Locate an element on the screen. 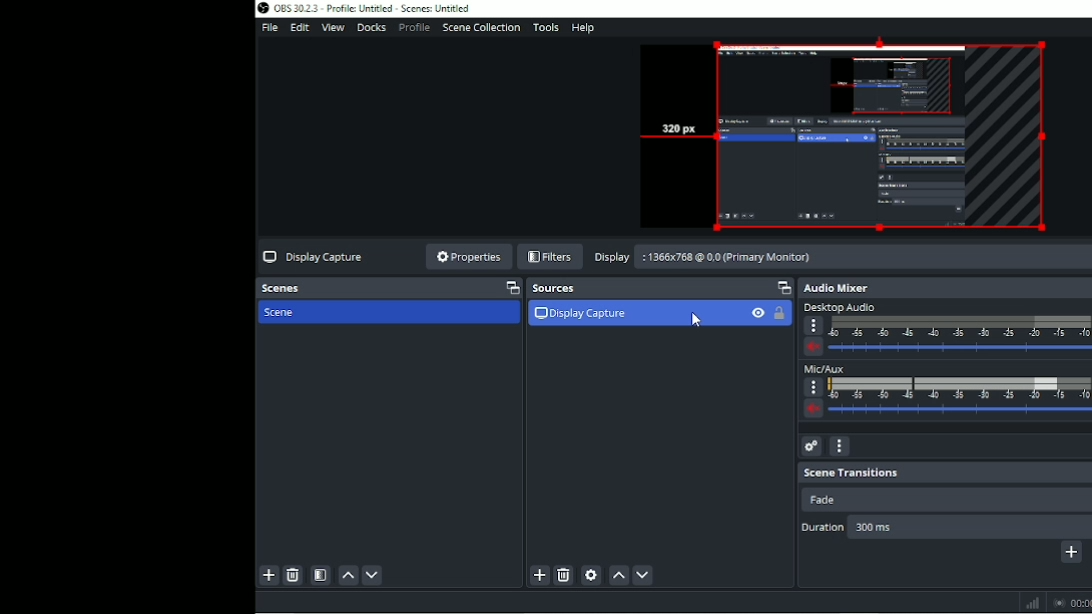  Open source properties is located at coordinates (591, 575).